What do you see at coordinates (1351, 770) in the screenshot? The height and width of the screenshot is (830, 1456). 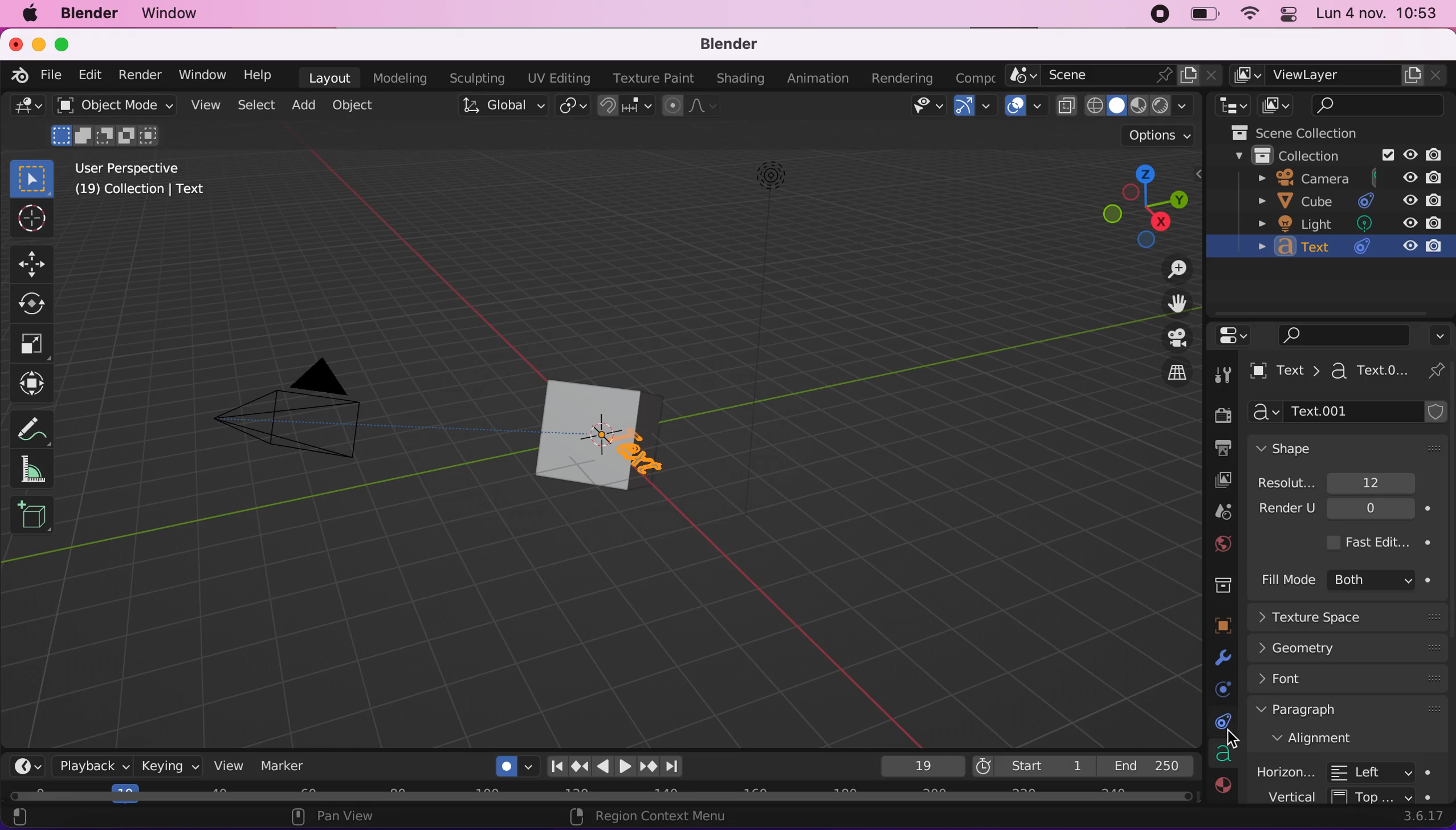 I see `horizontal` at bounding box center [1351, 770].